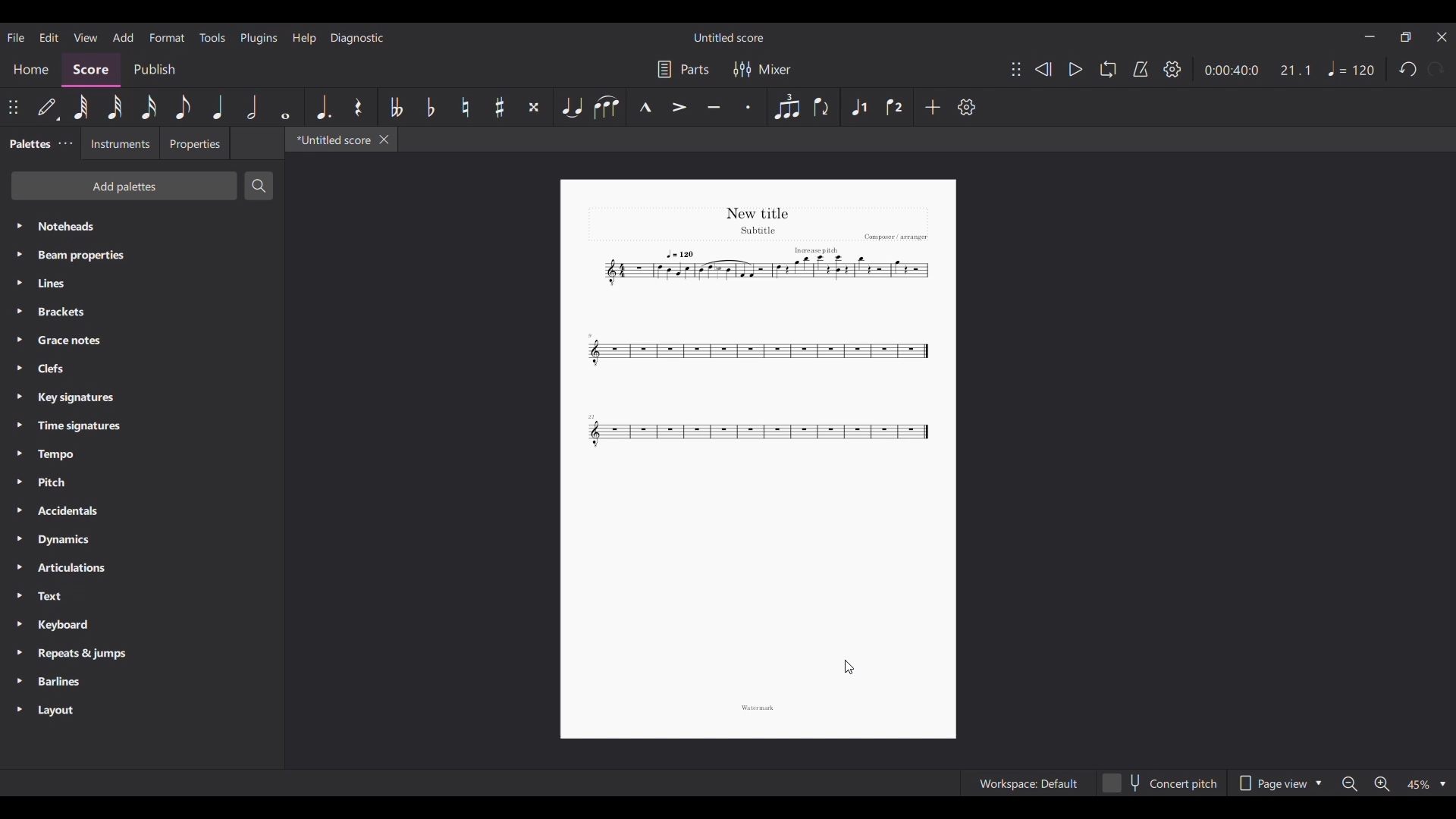 This screenshot has height=819, width=1456. I want to click on Zoom out, so click(1349, 784).